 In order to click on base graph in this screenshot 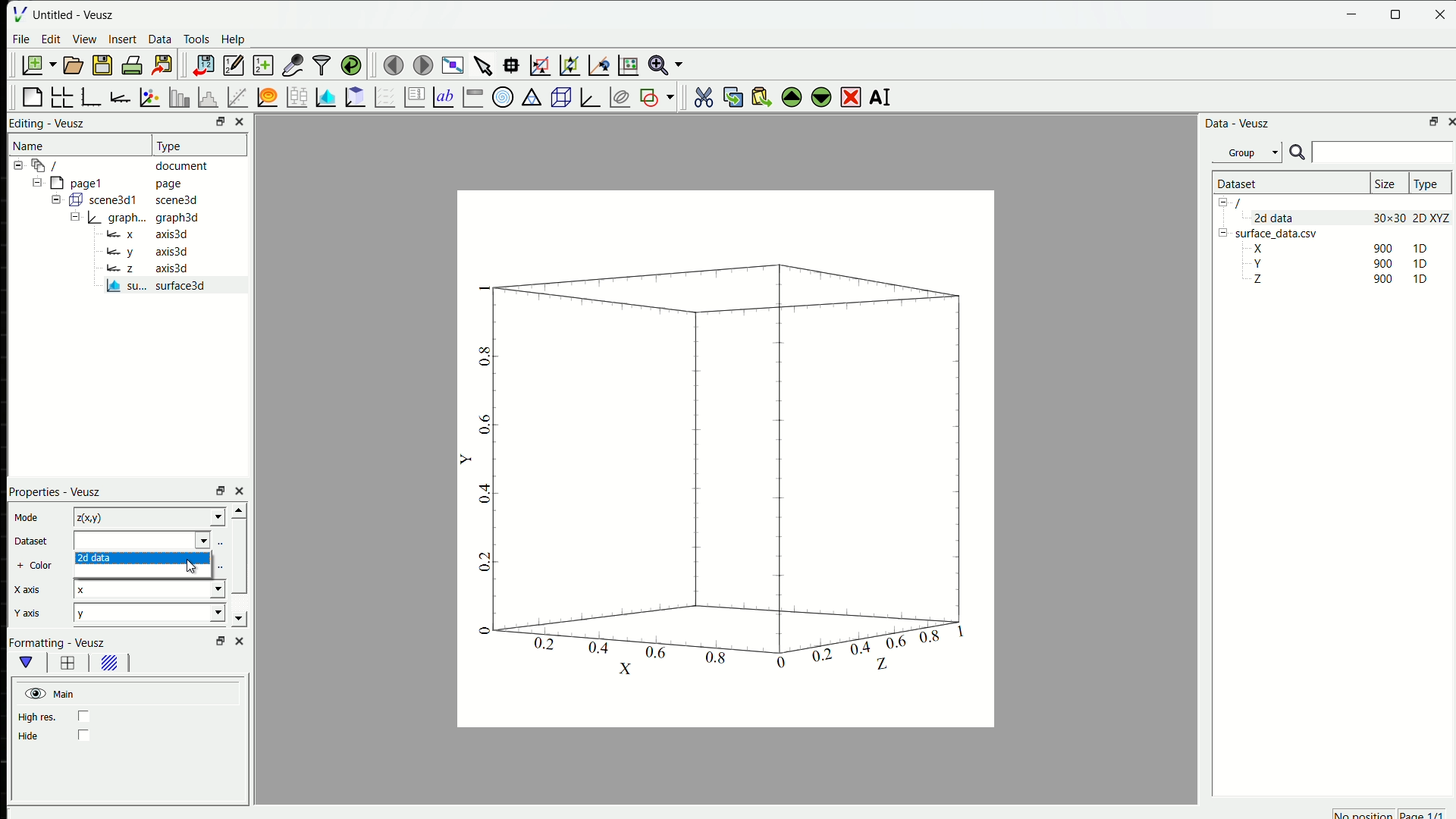, I will do `click(93, 96)`.